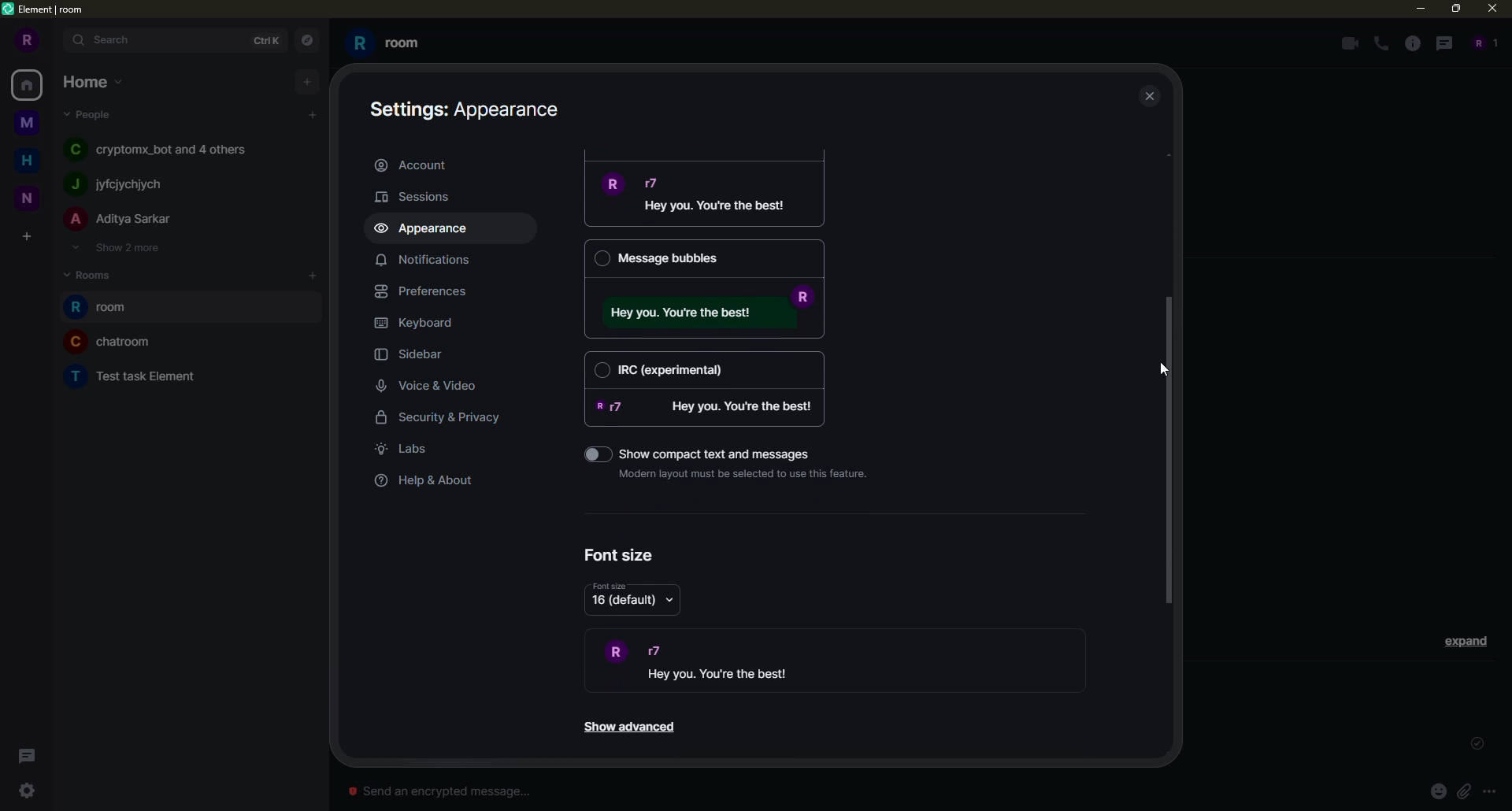 Image resolution: width=1512 pixels, height=811 pixels. Describe the element at coordinates (24, 756) in the screenshot. I see `threads` at that location.